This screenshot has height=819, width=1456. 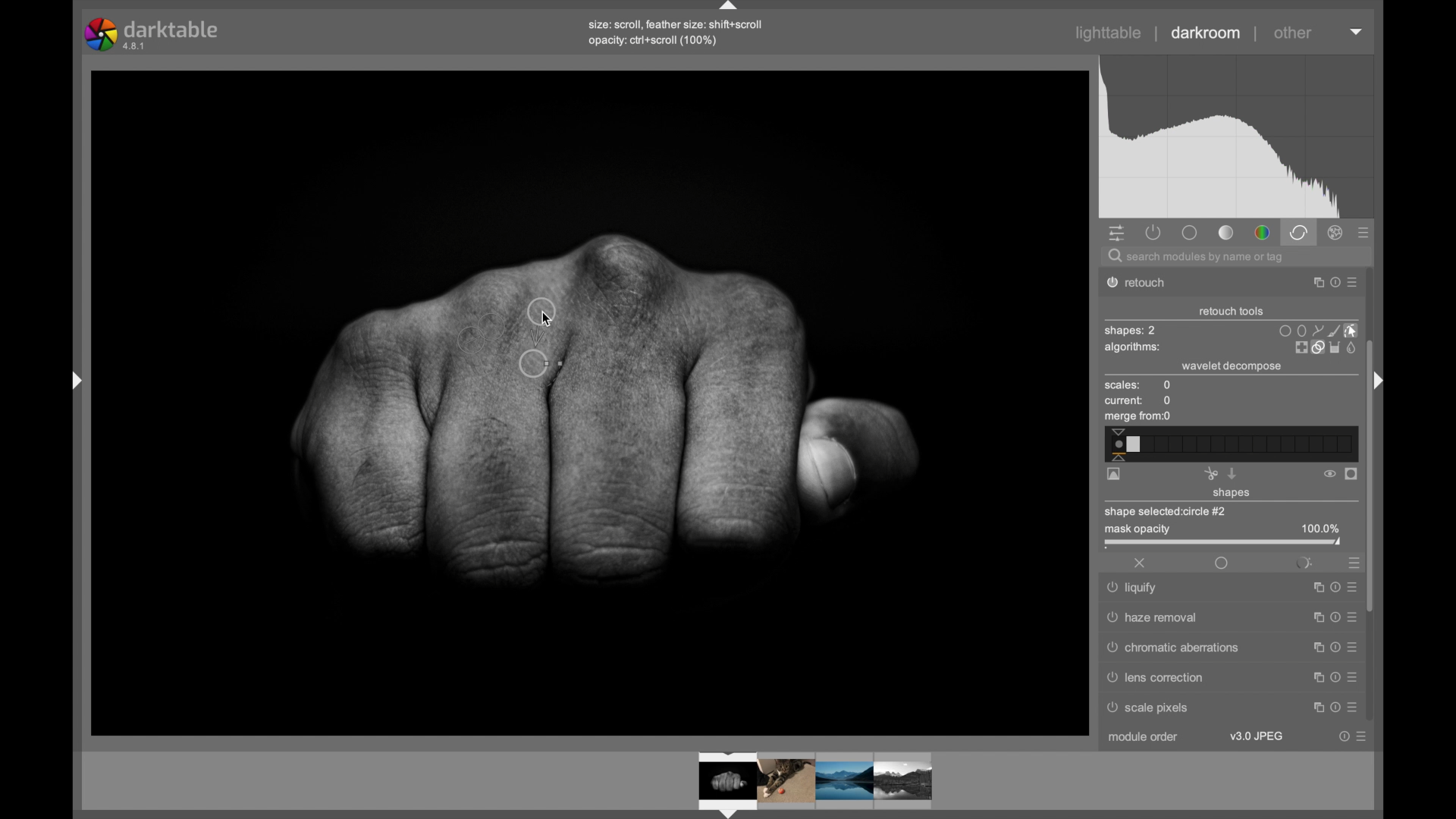 What do you see at coordinates (1134, 349) in the screenshot?
I see `algorithms` at bounding box center [1134, 349].